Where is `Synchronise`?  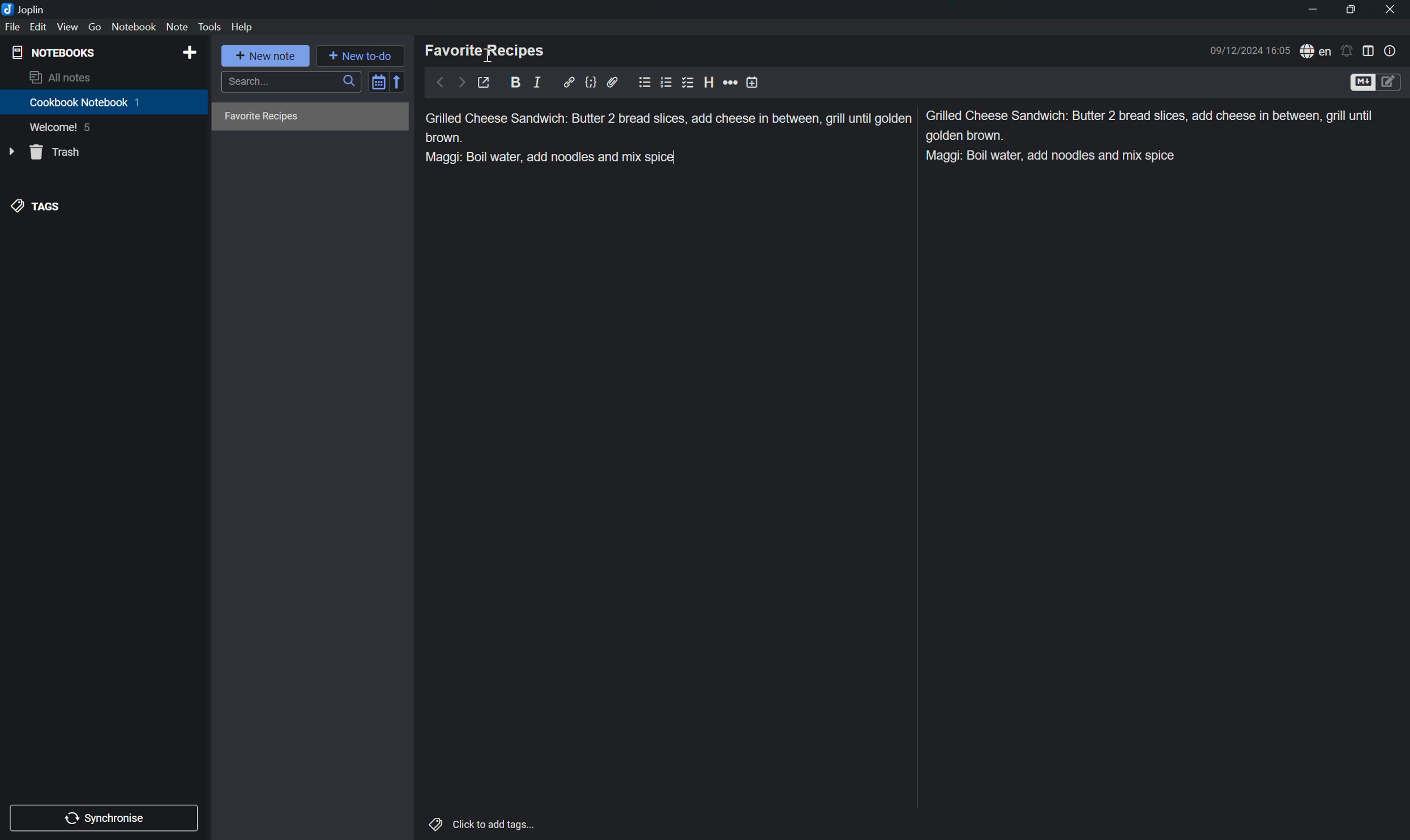 Synchronise is located at coordinates (106, 817).